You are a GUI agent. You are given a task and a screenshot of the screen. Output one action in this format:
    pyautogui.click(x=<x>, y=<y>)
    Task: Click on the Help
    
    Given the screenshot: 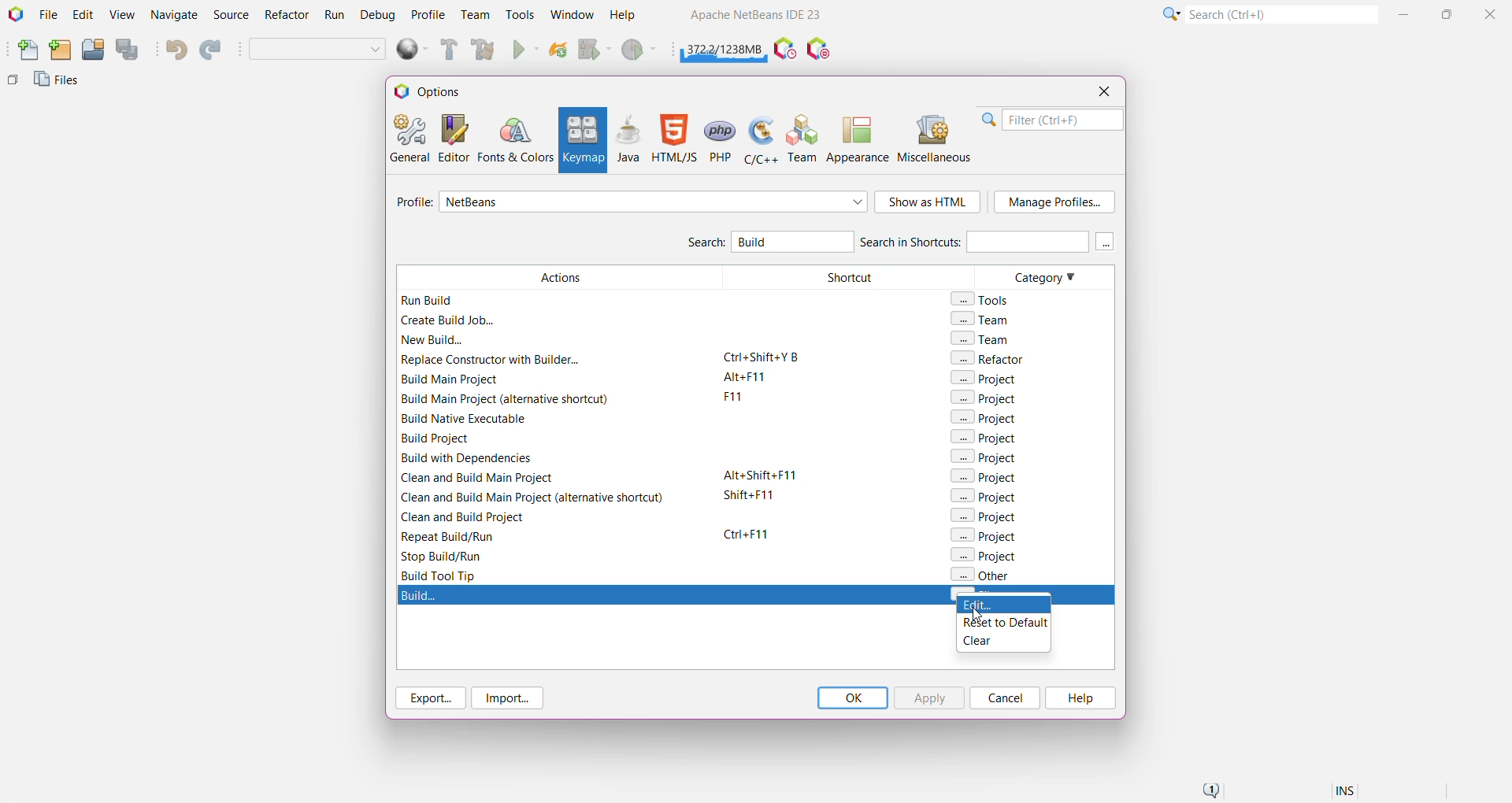 What is the action you would take?
    pyautogui.click(x=630, y=17)
    